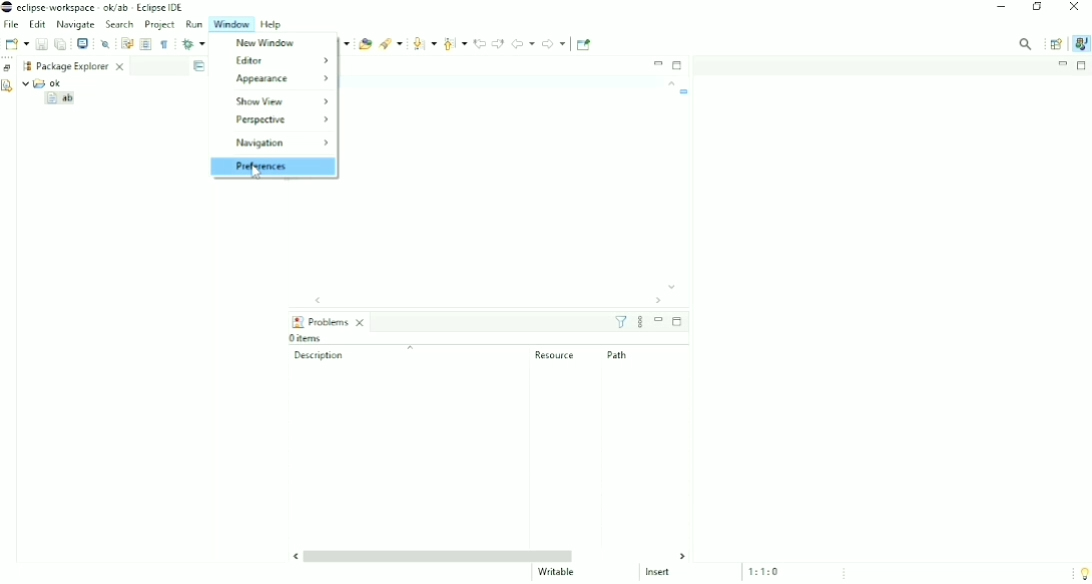  I want to click on View Menu, so click(640, 322).